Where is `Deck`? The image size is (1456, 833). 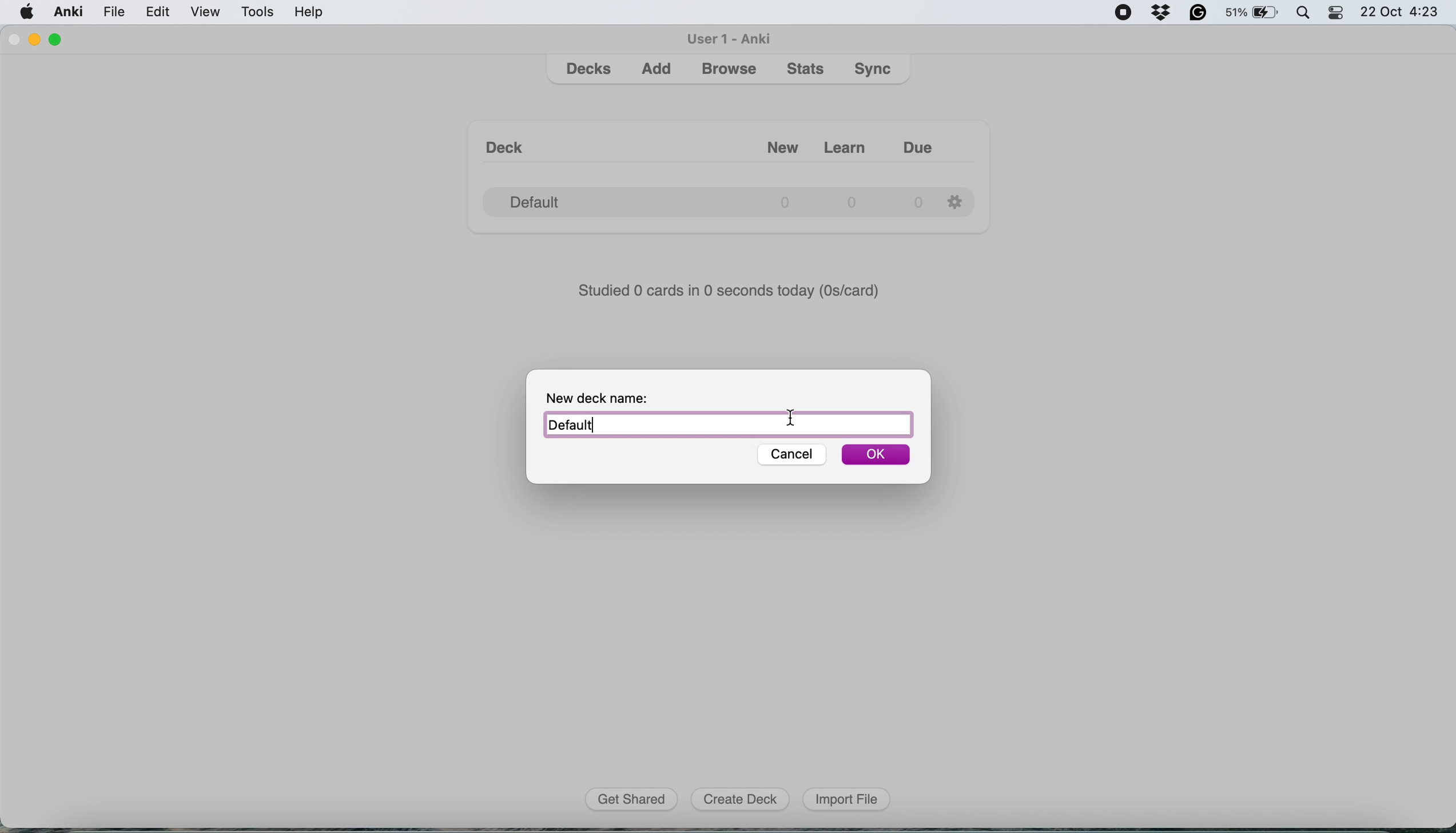 Deck is located at coordinates (510, 141).